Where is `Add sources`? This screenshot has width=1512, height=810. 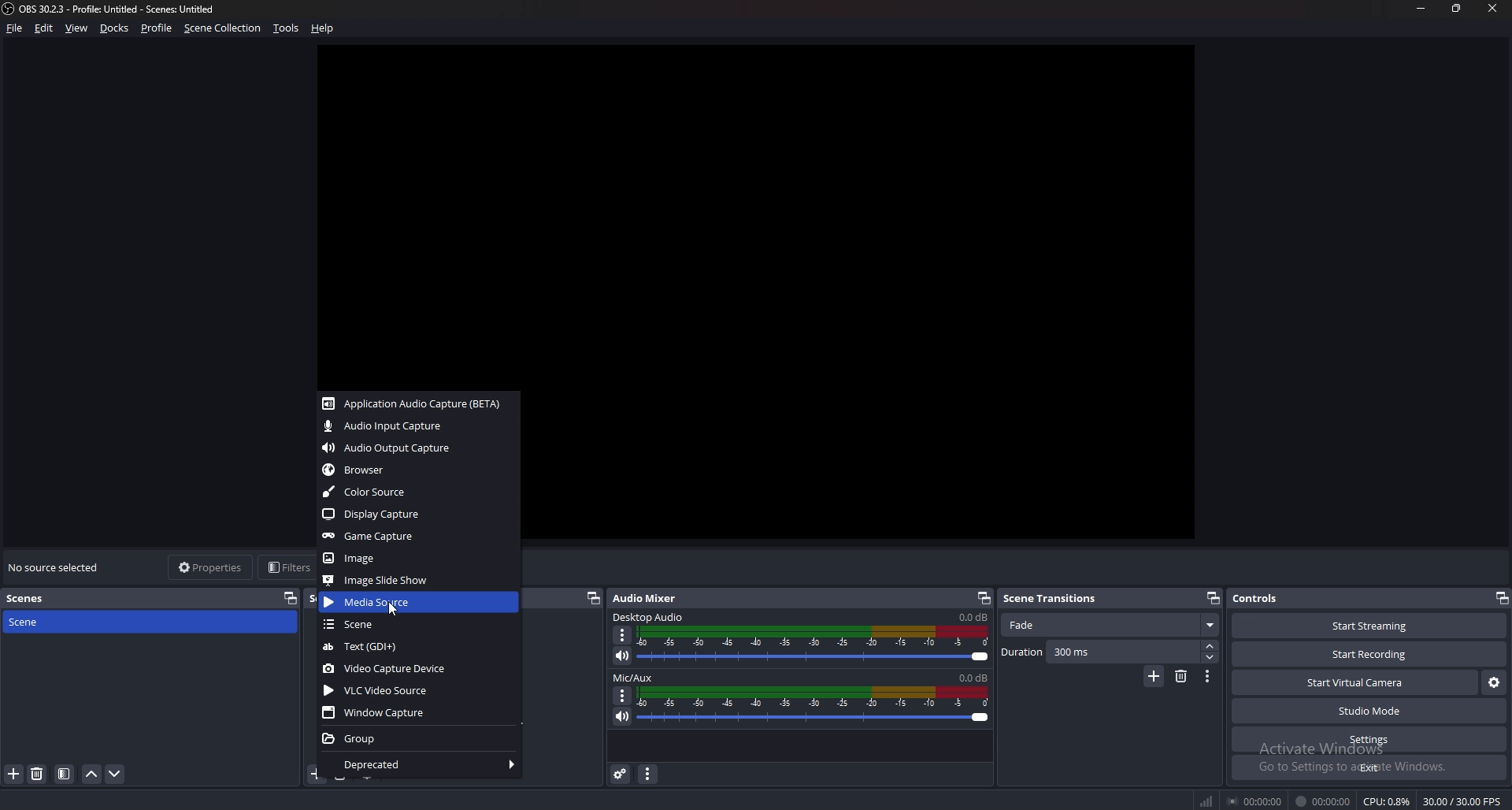 Add sources is located at coordinates (315, 773).